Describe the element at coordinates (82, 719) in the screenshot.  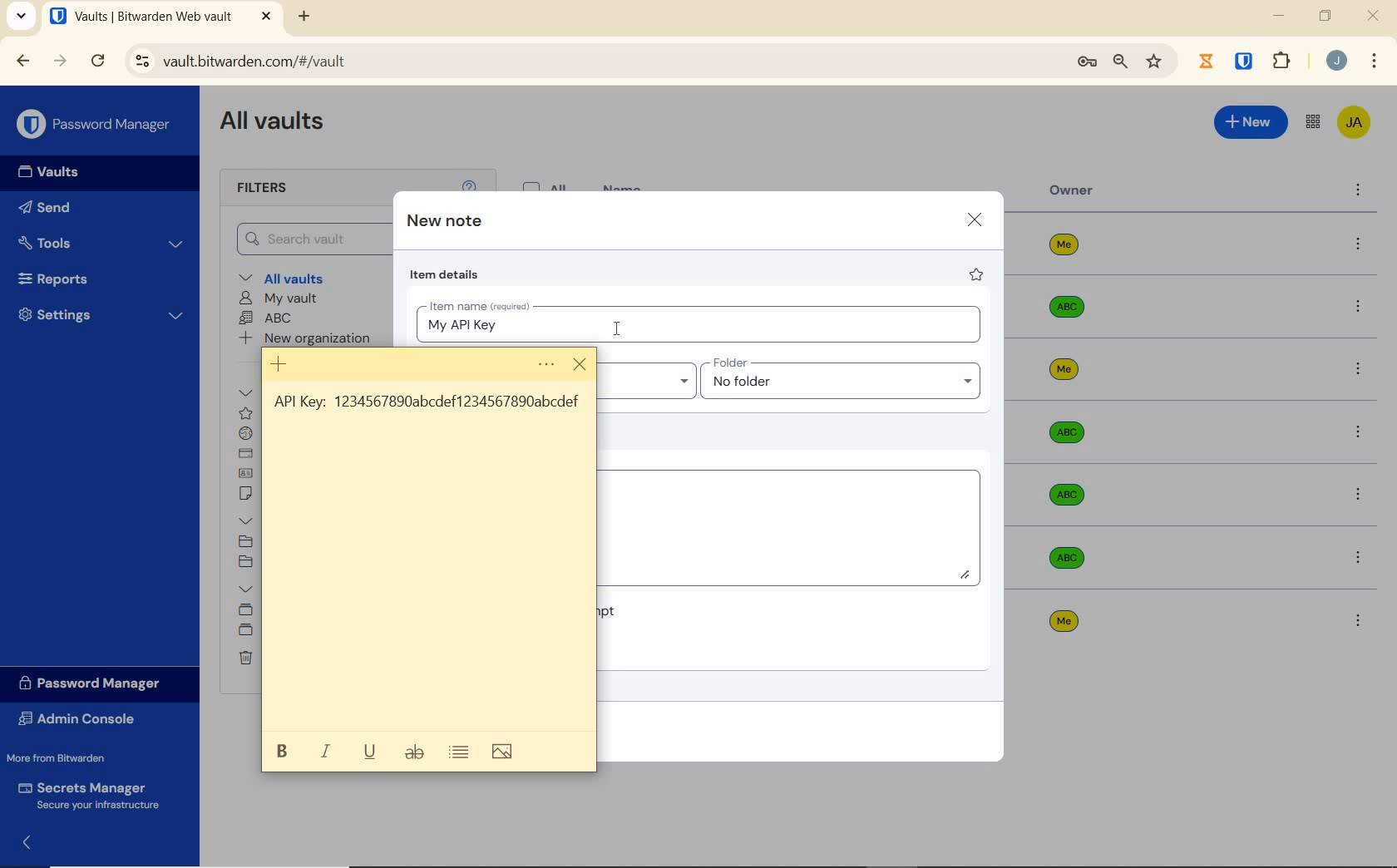
I see `Admin Console` at that location.